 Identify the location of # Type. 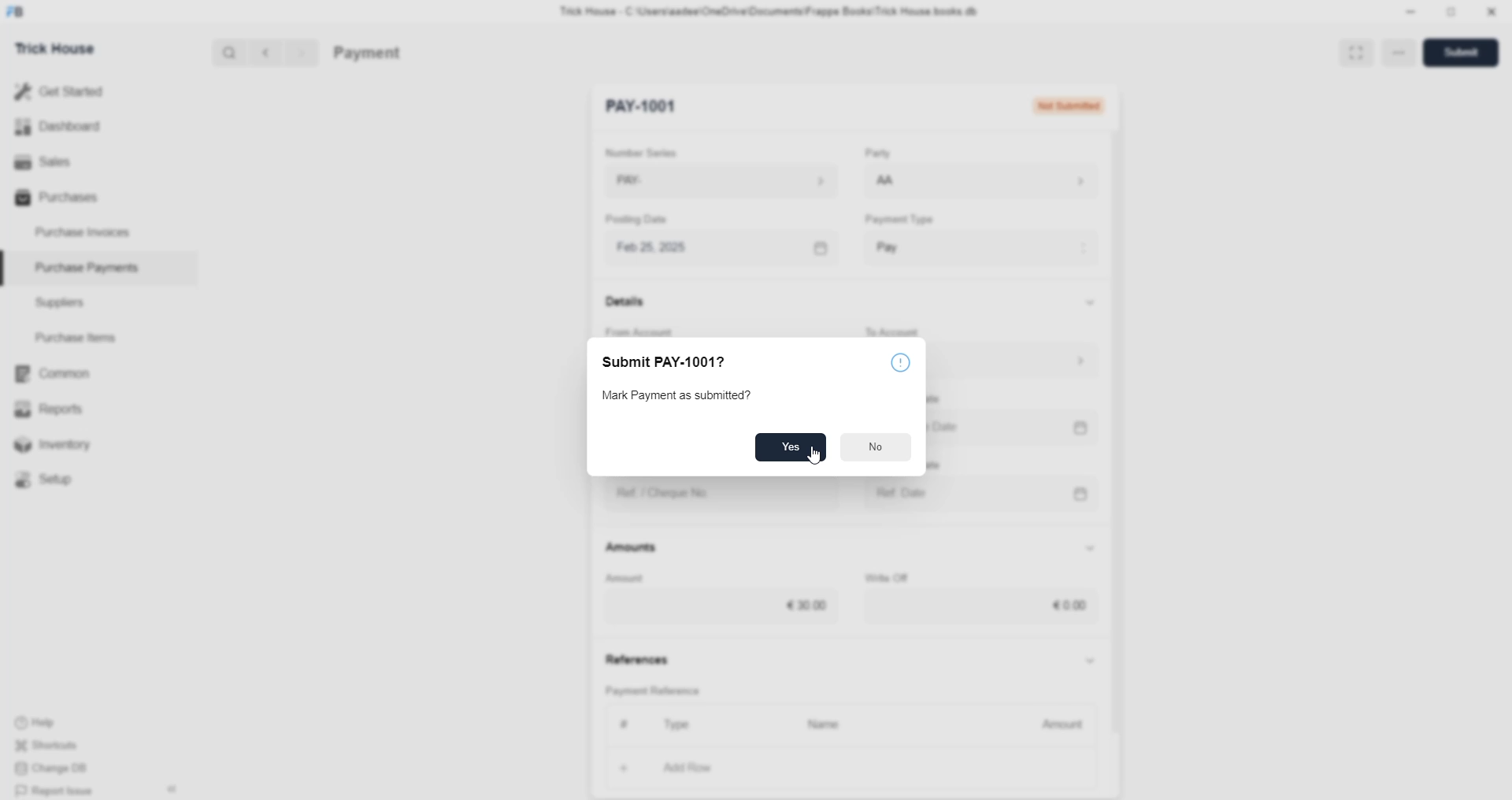
(650, 723).